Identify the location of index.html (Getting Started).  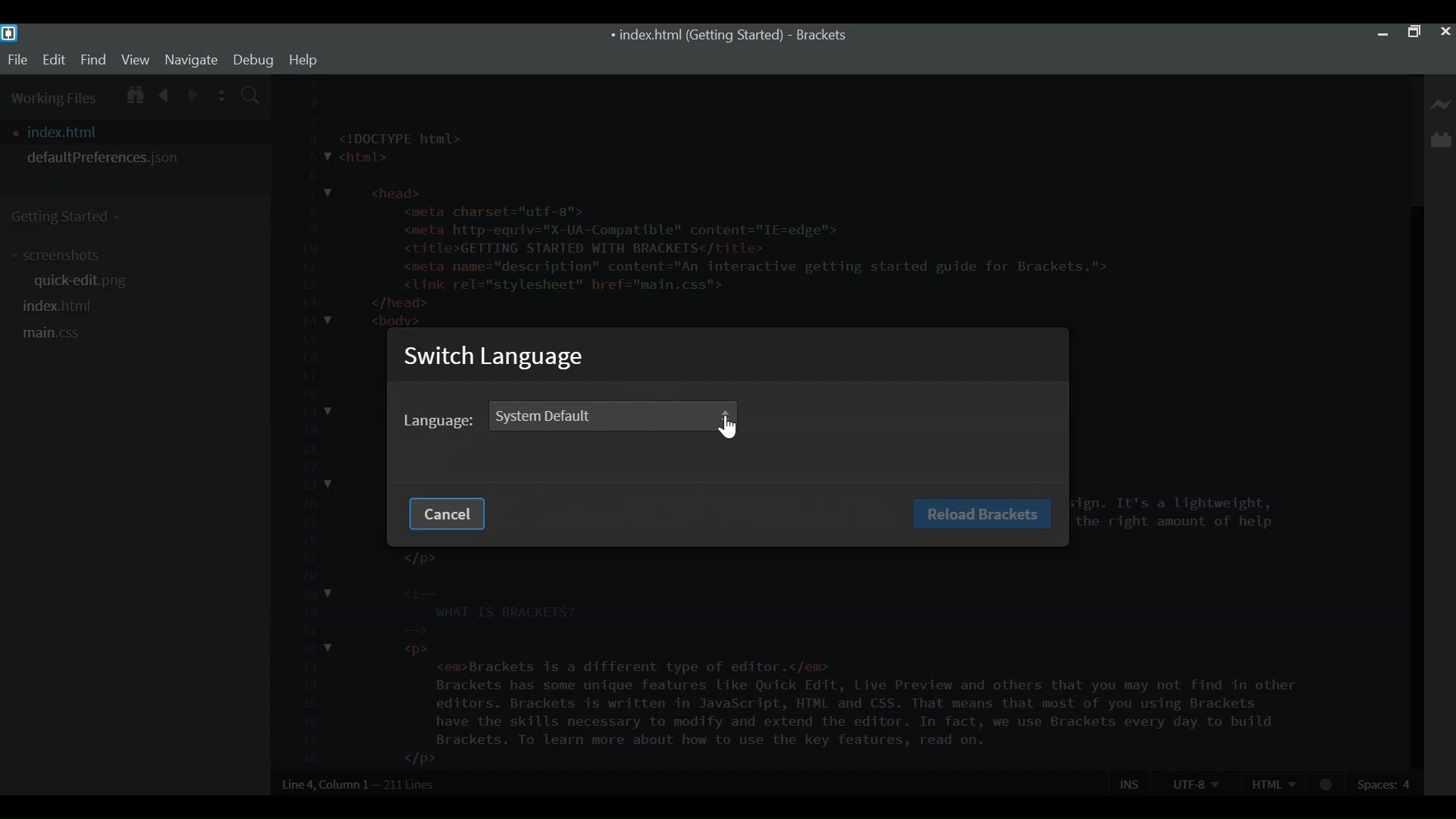
(695, 36).